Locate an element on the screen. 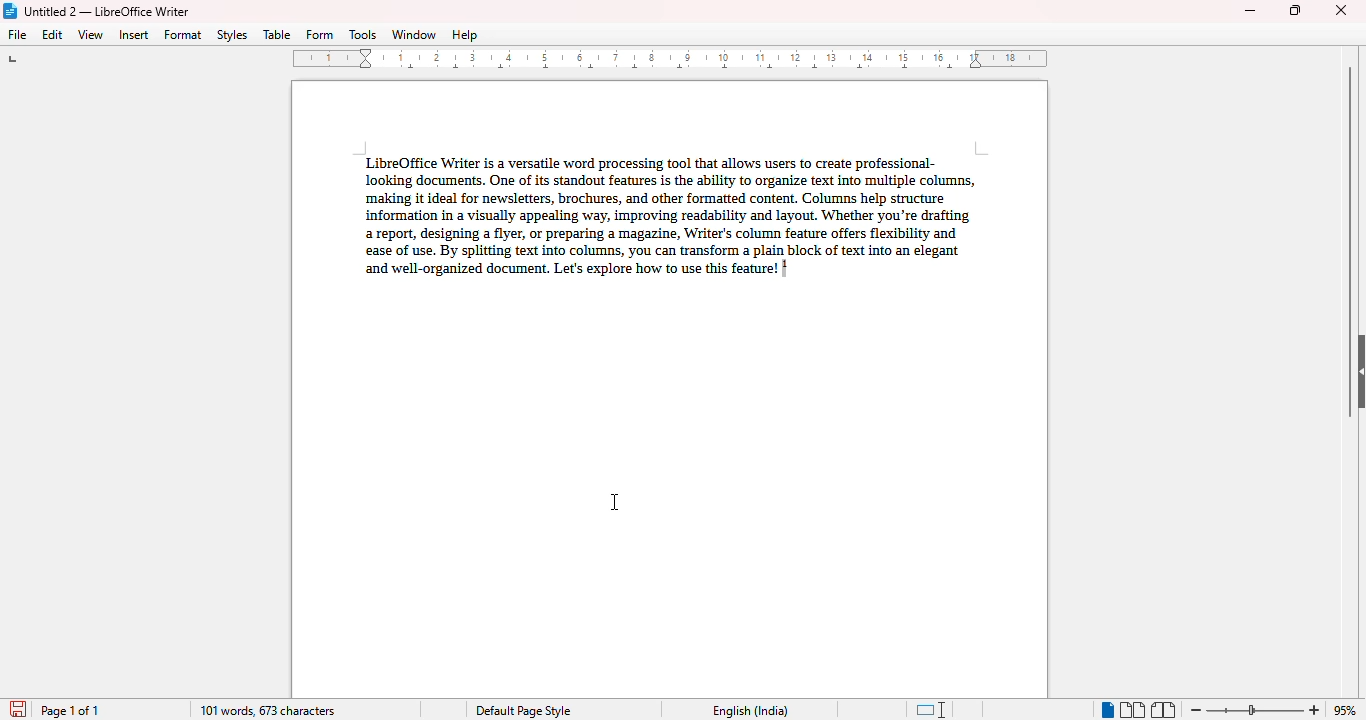  close is located at coordinates (1343, 9).